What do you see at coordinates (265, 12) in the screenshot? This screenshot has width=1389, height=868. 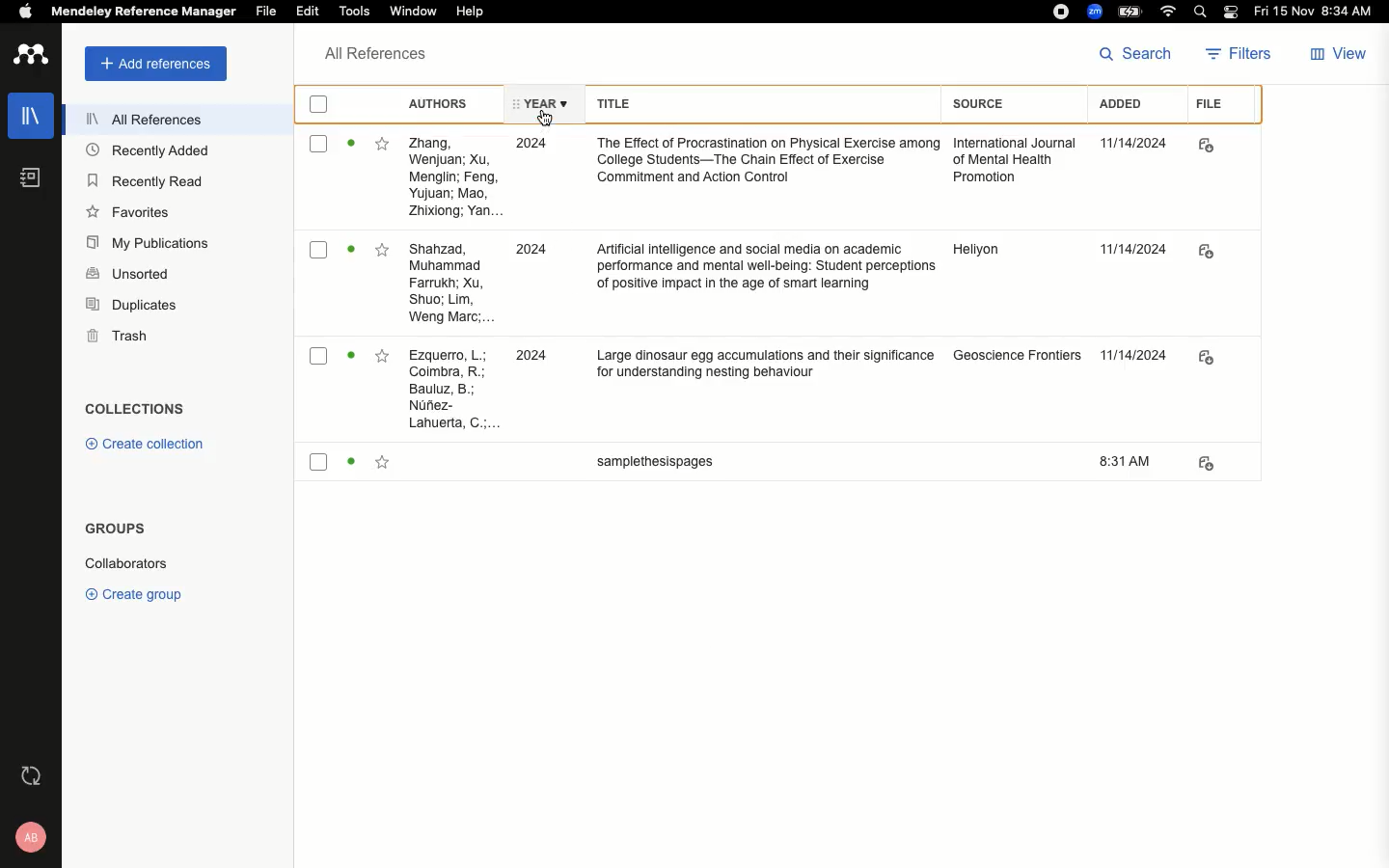 I see `File` at bounding box center [265, 12].